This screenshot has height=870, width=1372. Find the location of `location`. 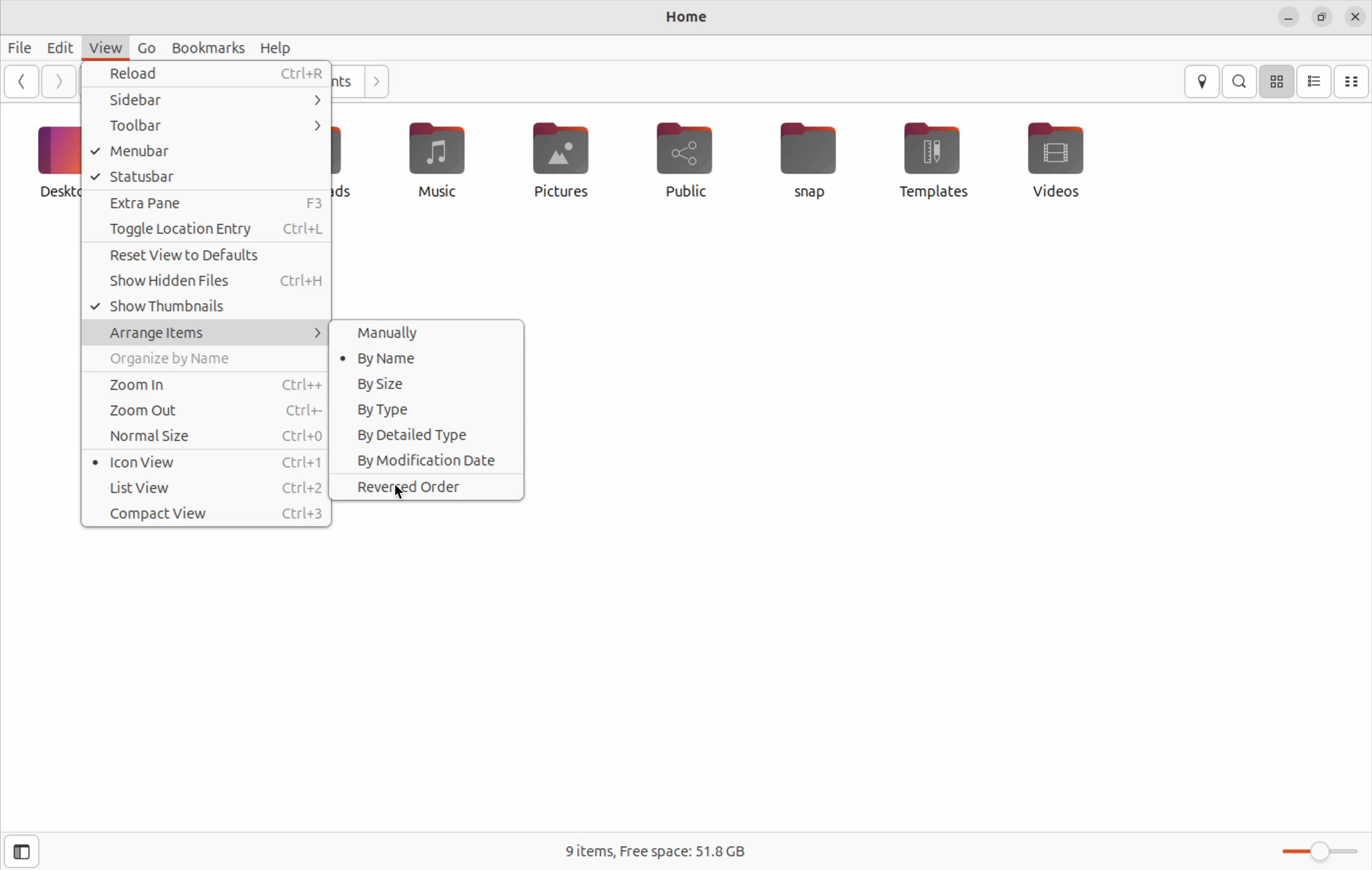

location is located at coordinates (1204, 83).